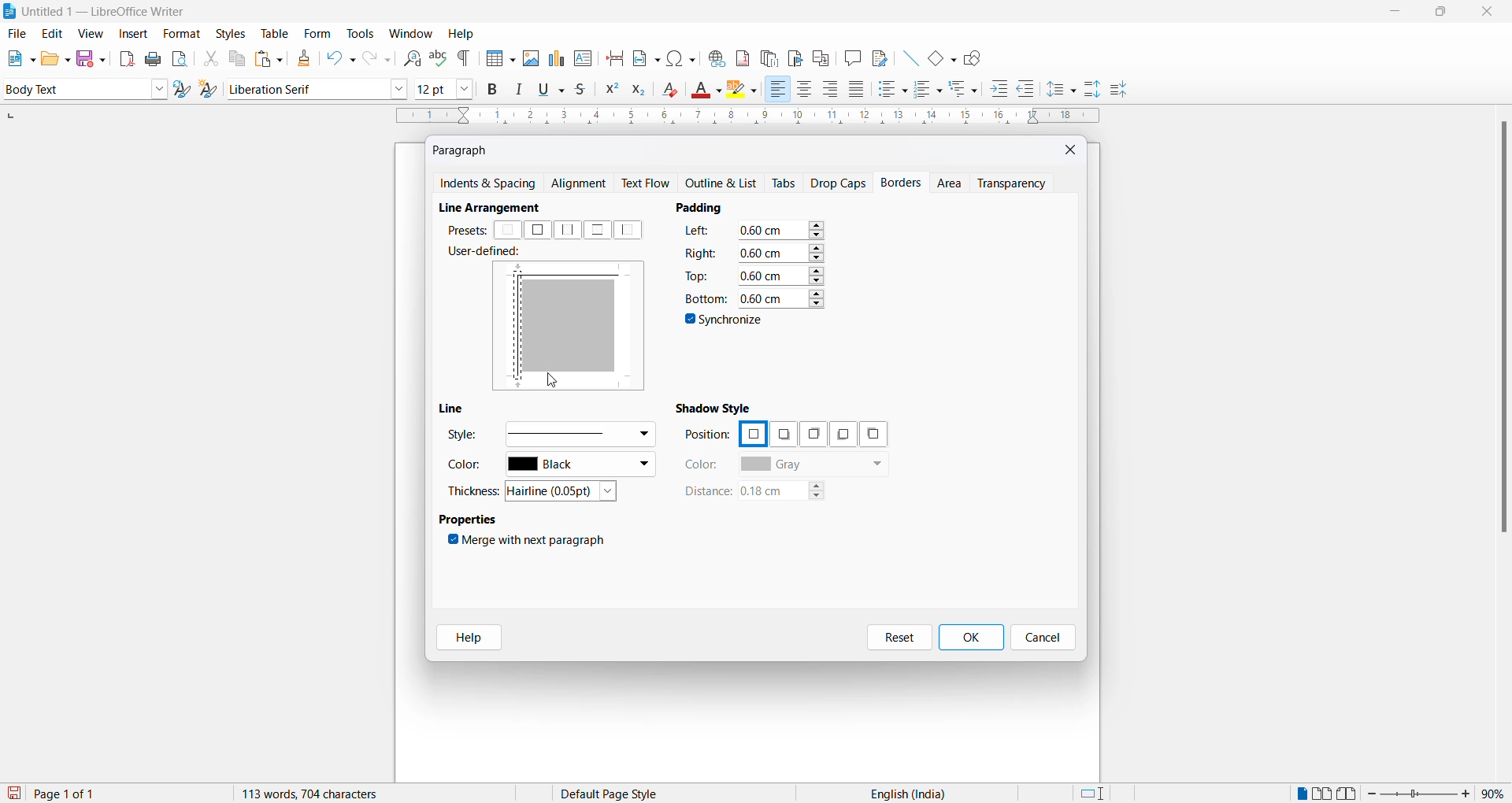 This screenshot has height=803, width=1512. I want to click on strike through, so click(585, 90).